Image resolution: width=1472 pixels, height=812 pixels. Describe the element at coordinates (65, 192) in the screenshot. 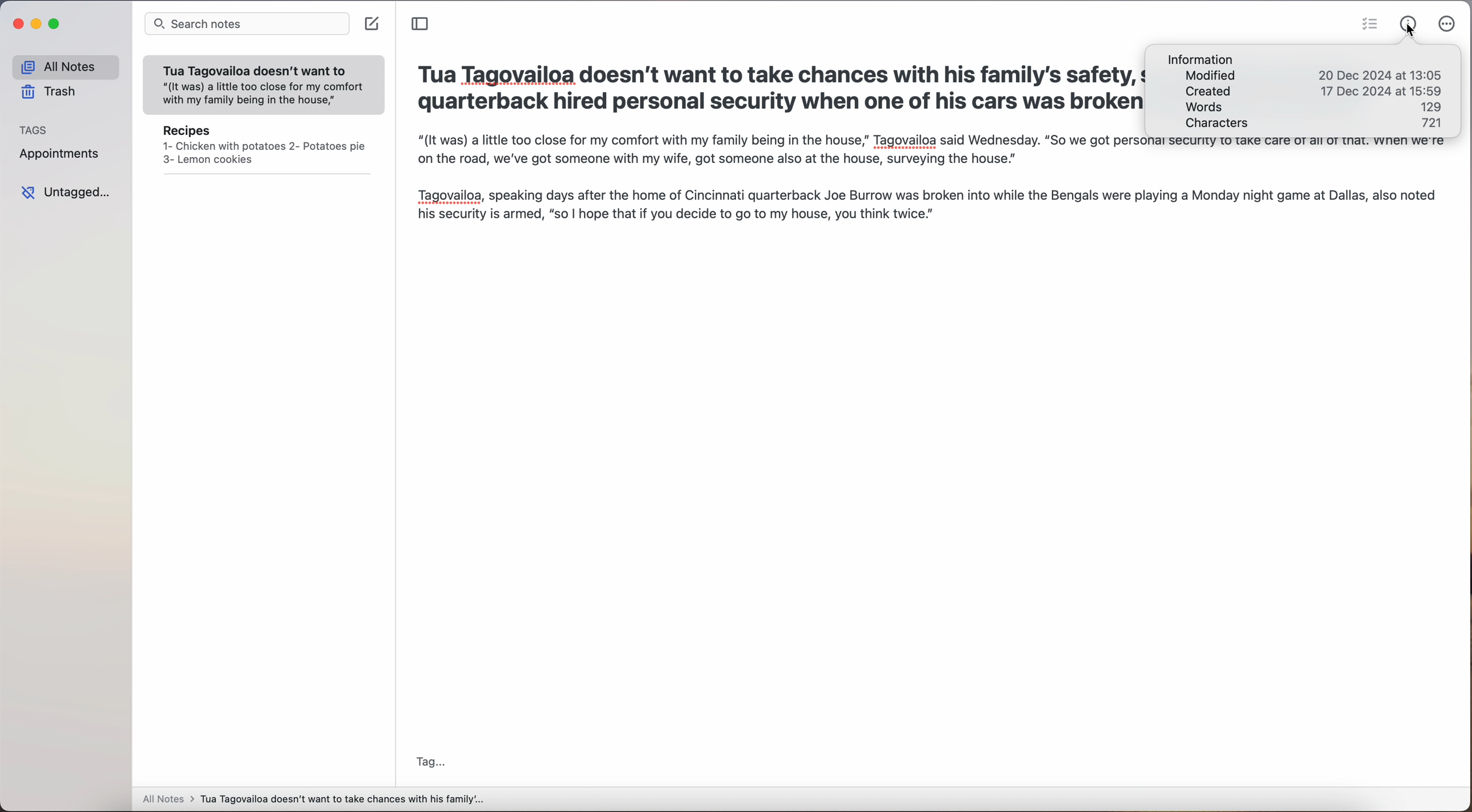

I see `untagged` at that location.